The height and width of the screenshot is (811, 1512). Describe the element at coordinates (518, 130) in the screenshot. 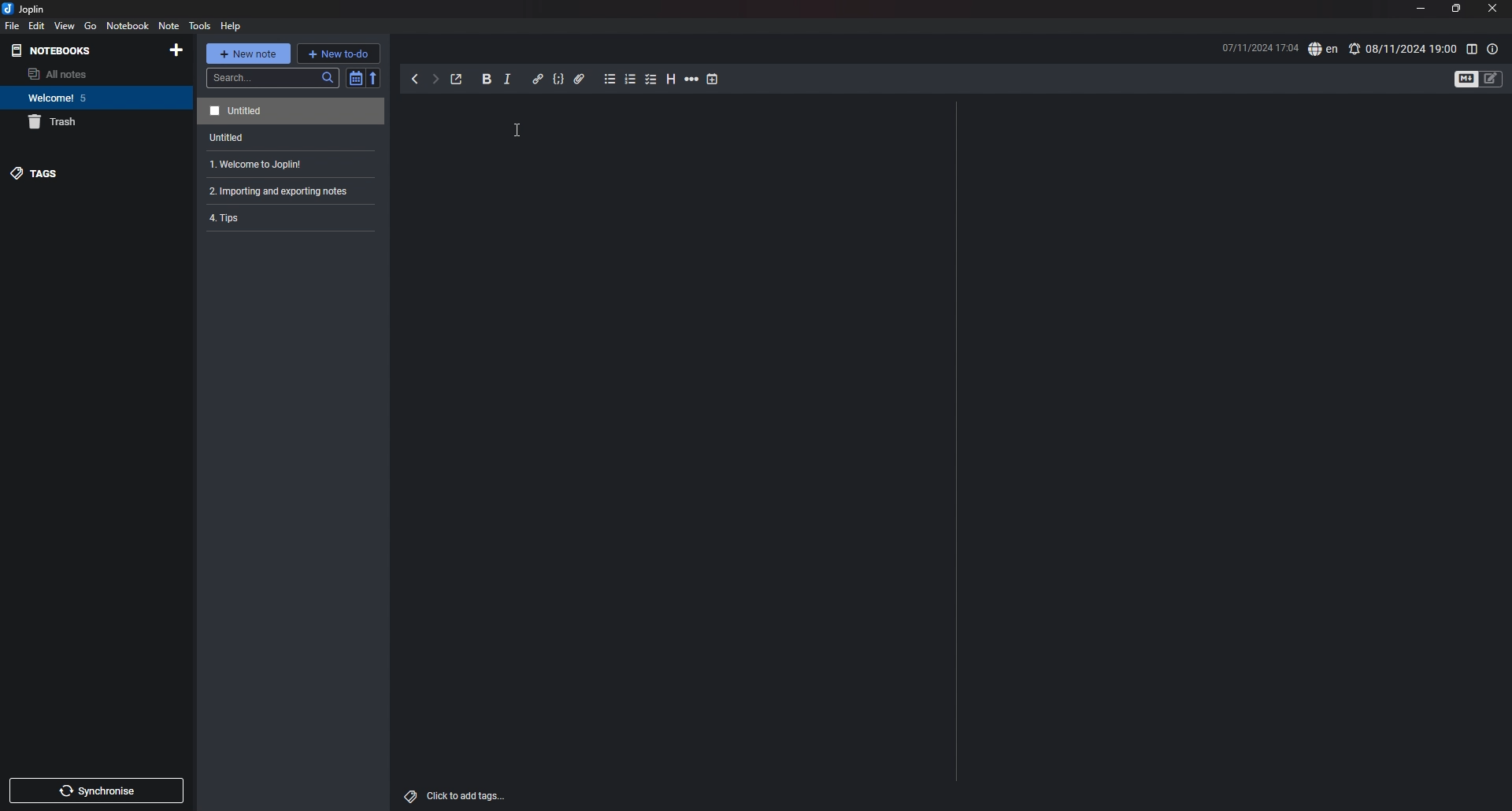

I see `cursor` at that location.